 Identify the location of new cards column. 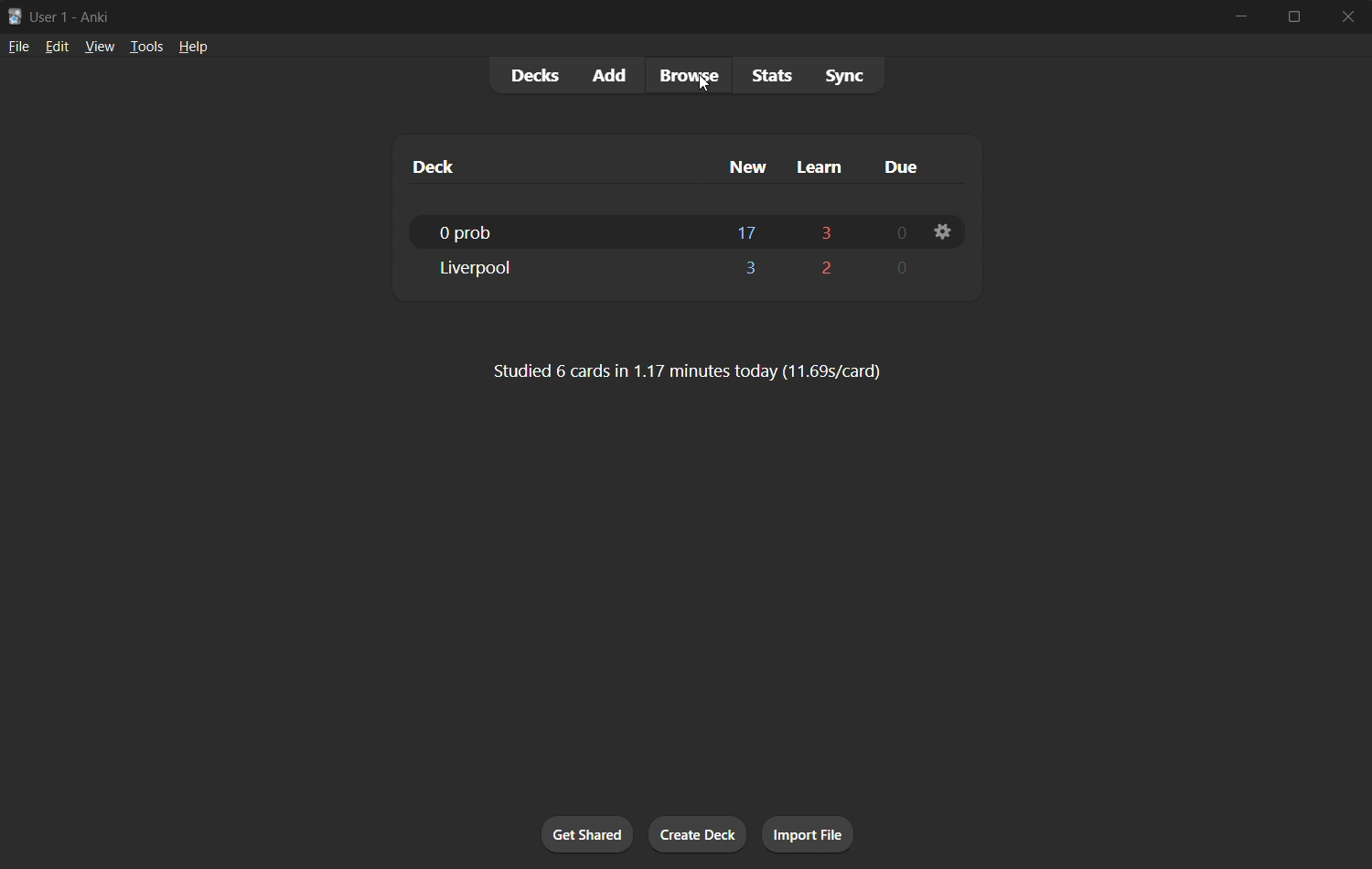
(751, 167).